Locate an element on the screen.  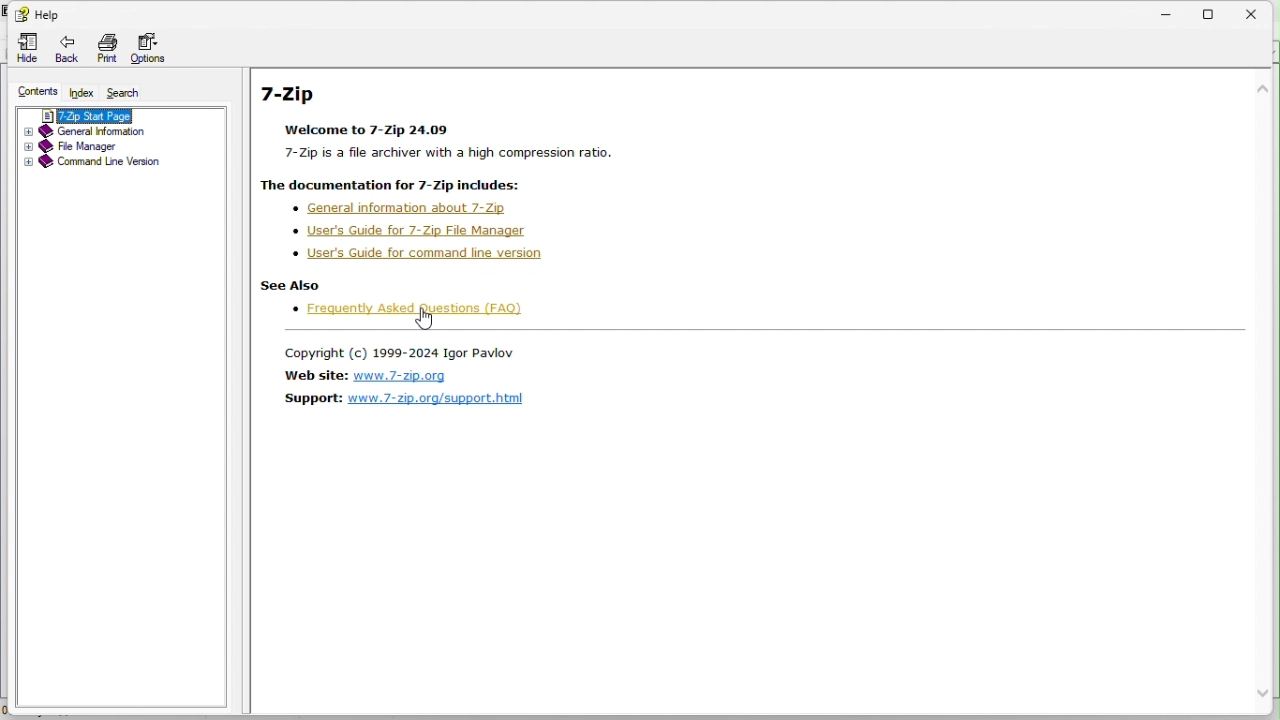
Search is located at coordinates (128, 93).